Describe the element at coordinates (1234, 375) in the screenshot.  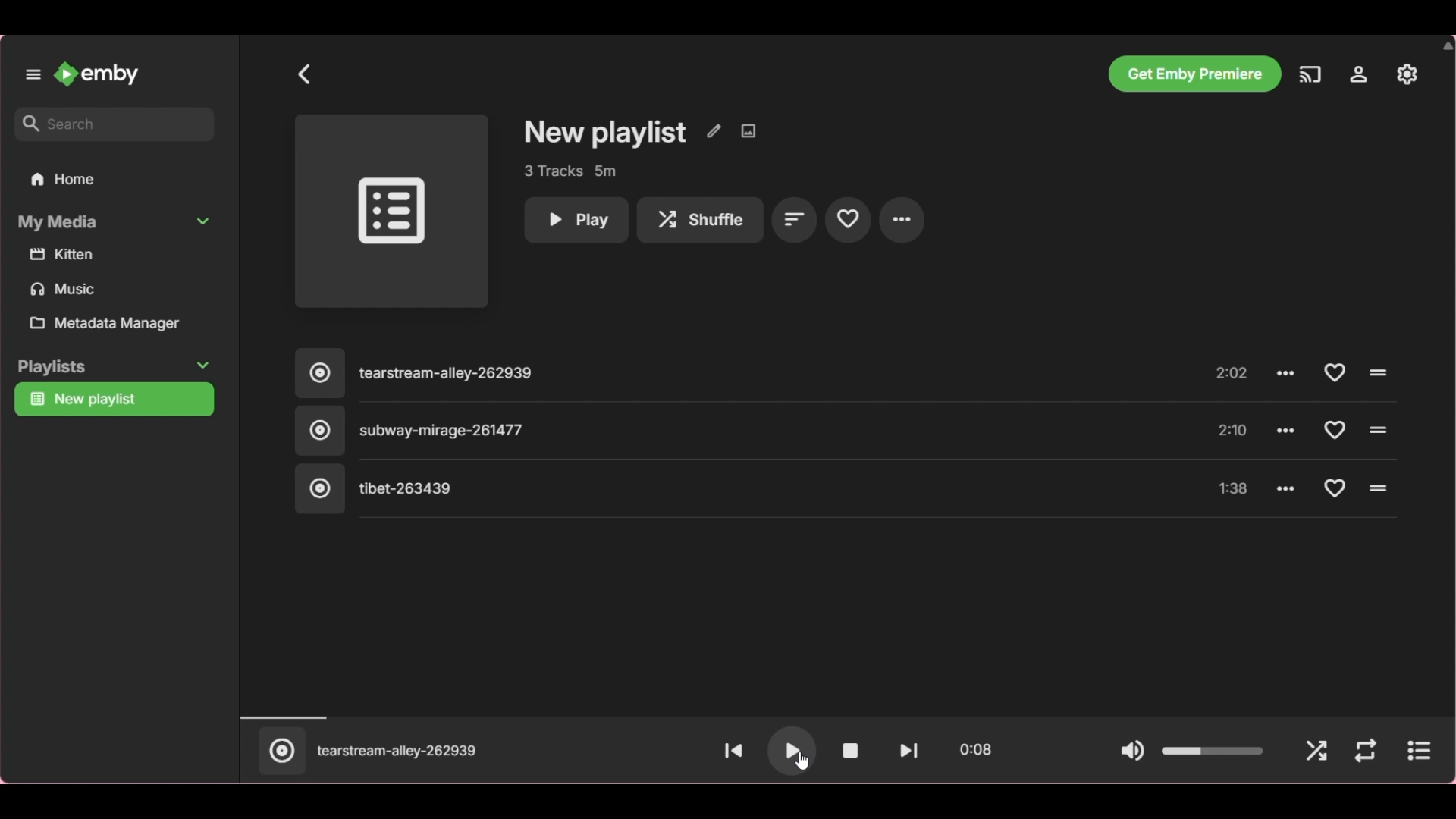
I see `Music length of song` at that location.